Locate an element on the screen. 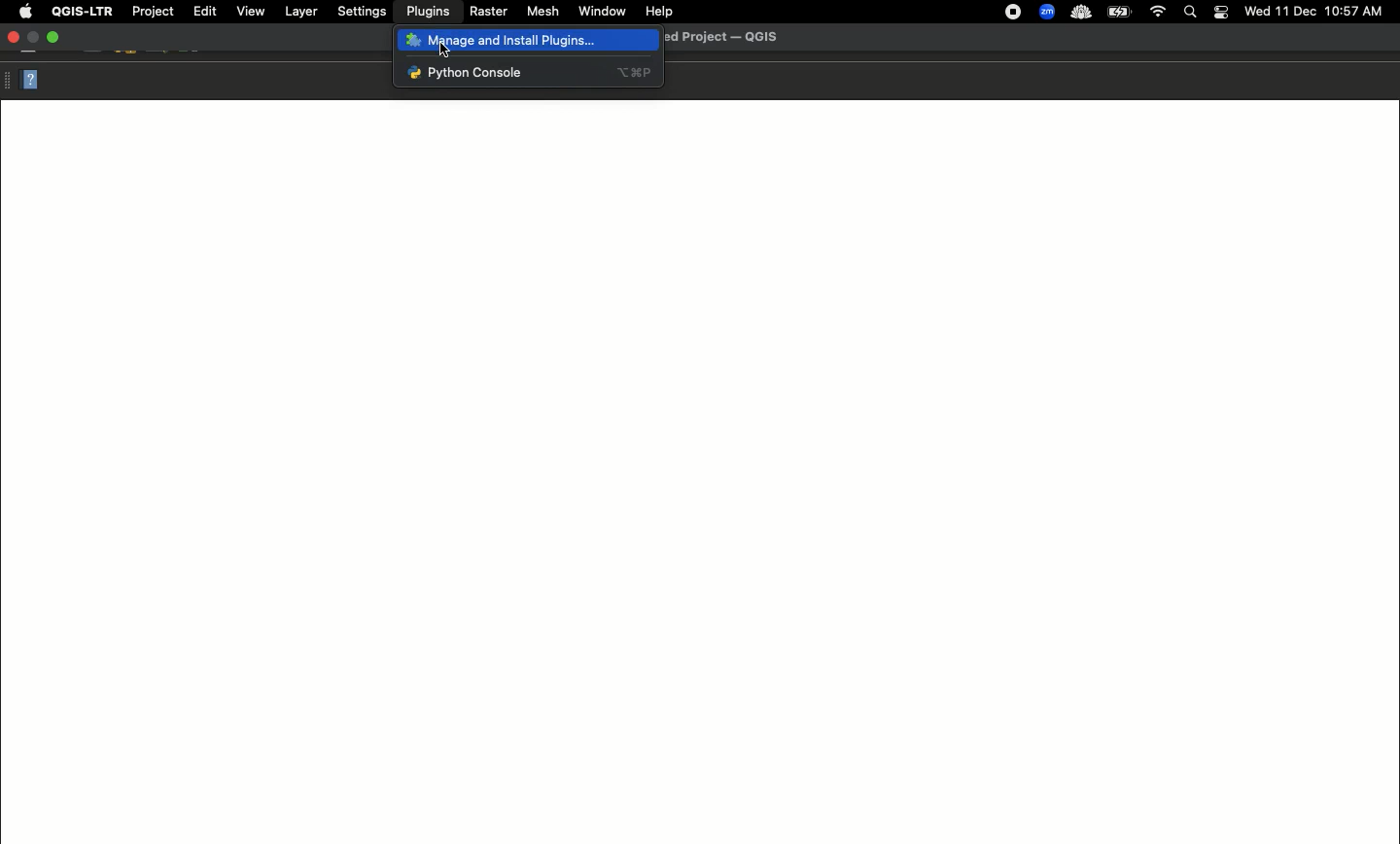 This screenshot has width=1400, height=844. cursor is located at coordinates (449, 48).